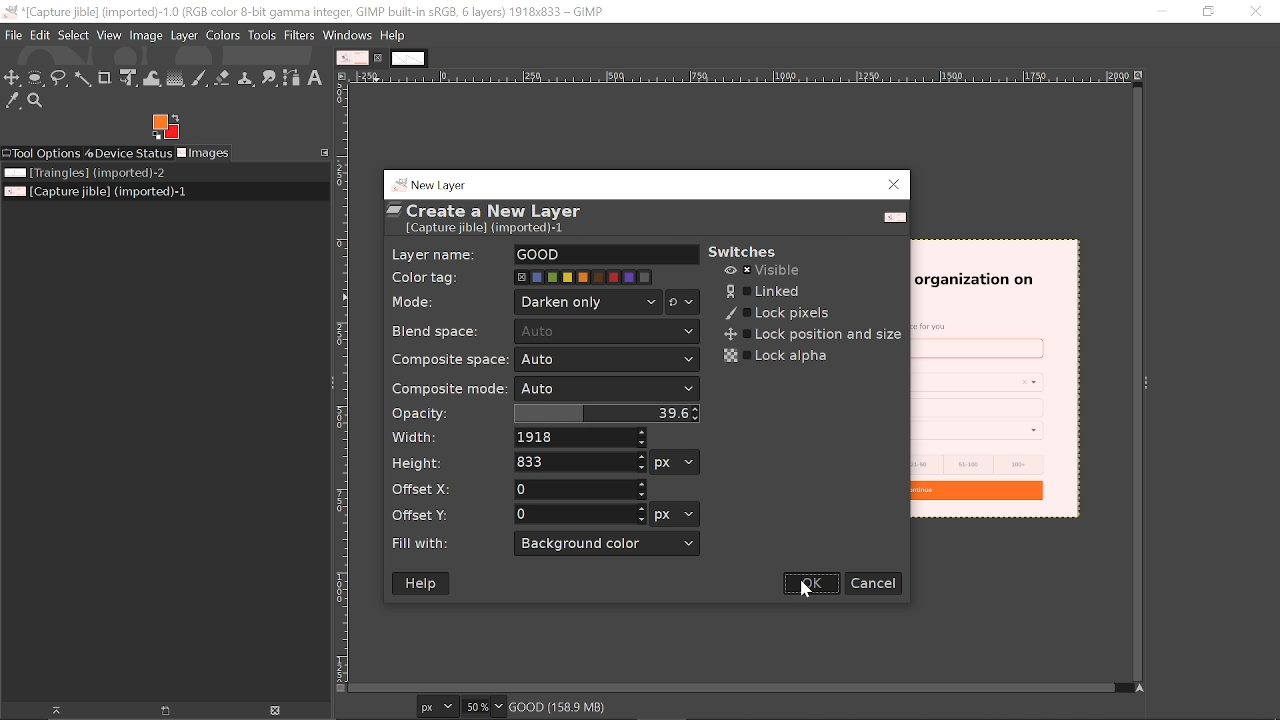 The height and width of the screenshot is (720, 1280). Describe the element at coordinates (108, 173) in the screenshot. I see `Image file titled "Triangles"` at that location.